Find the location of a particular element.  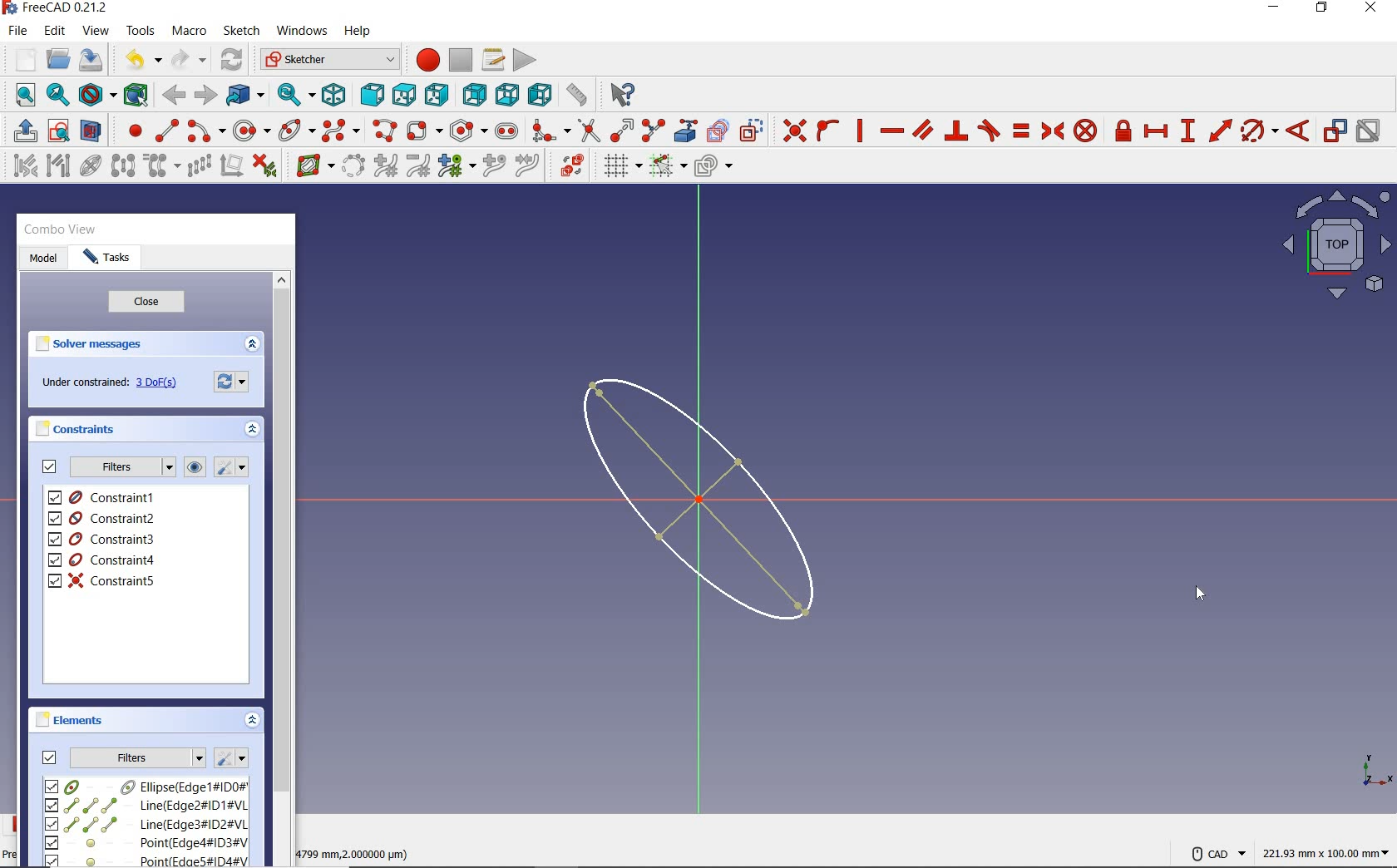

left is located at coordinates (541, 94).